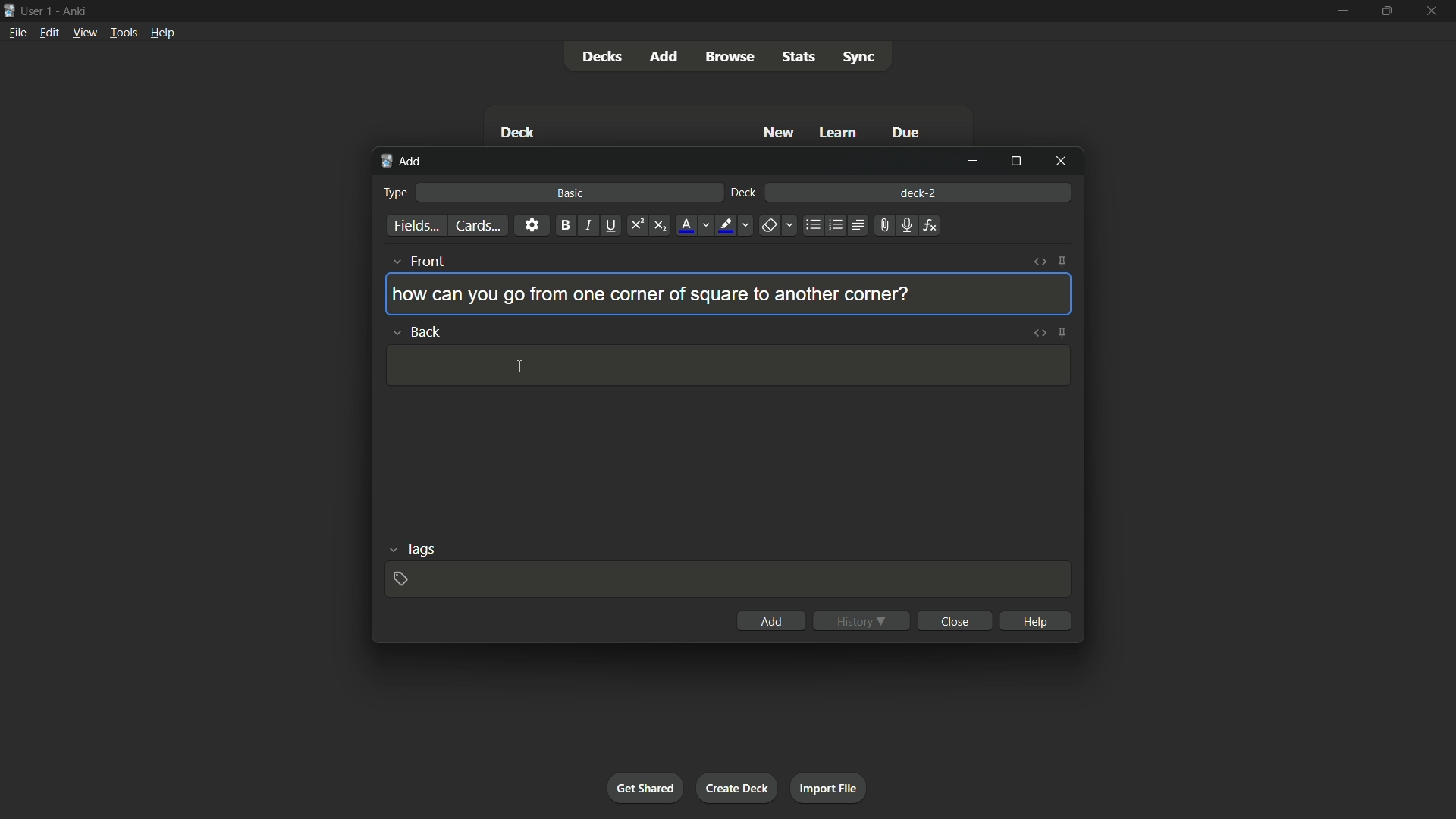 The height and width of the screenshot is (819, 1456). What do you see at coordinates (660, 226) in the screenshot?
I see `subscript` at bounding box center [660, 226].